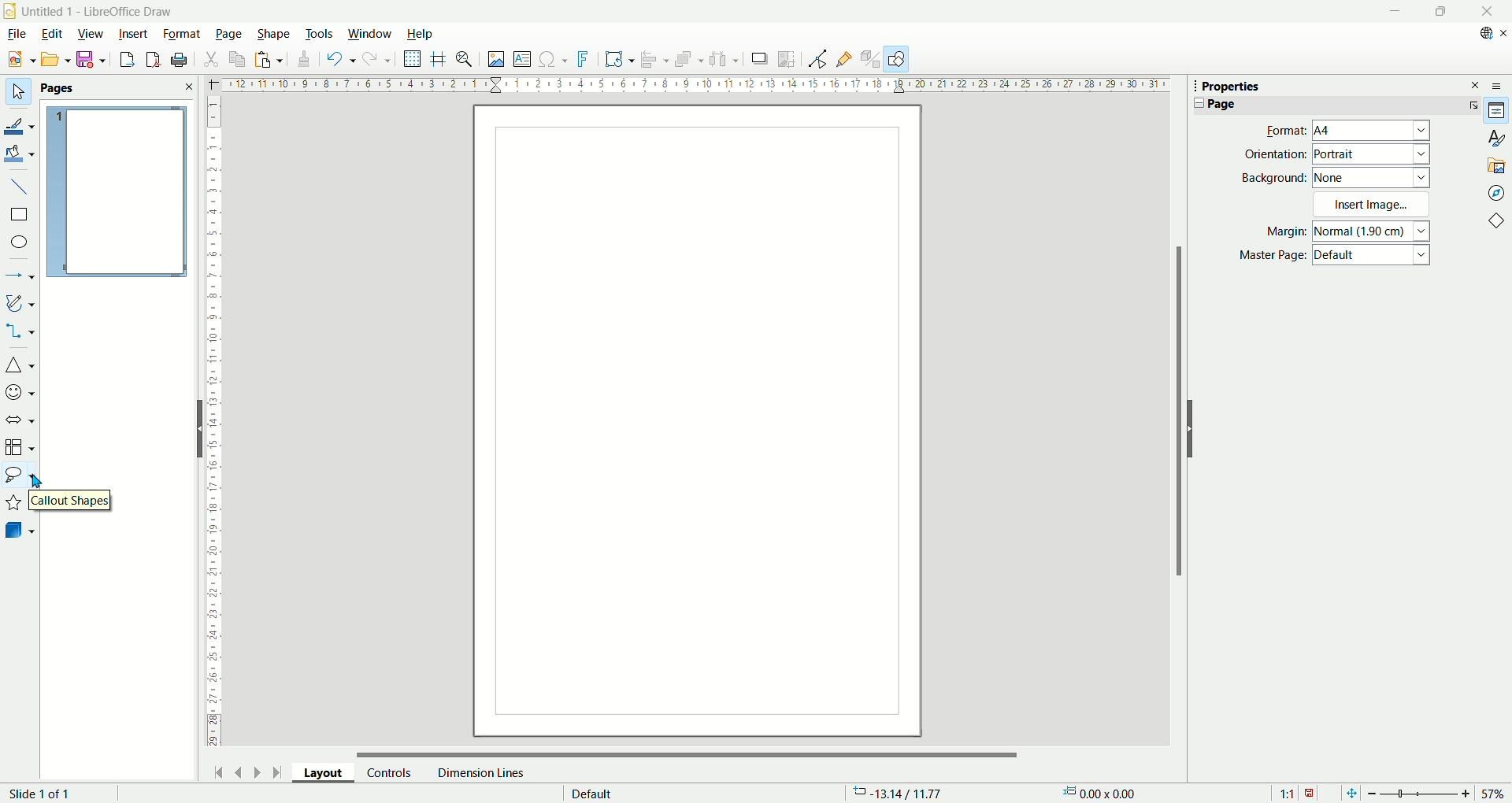  I want to click on file, so click(16, 34).